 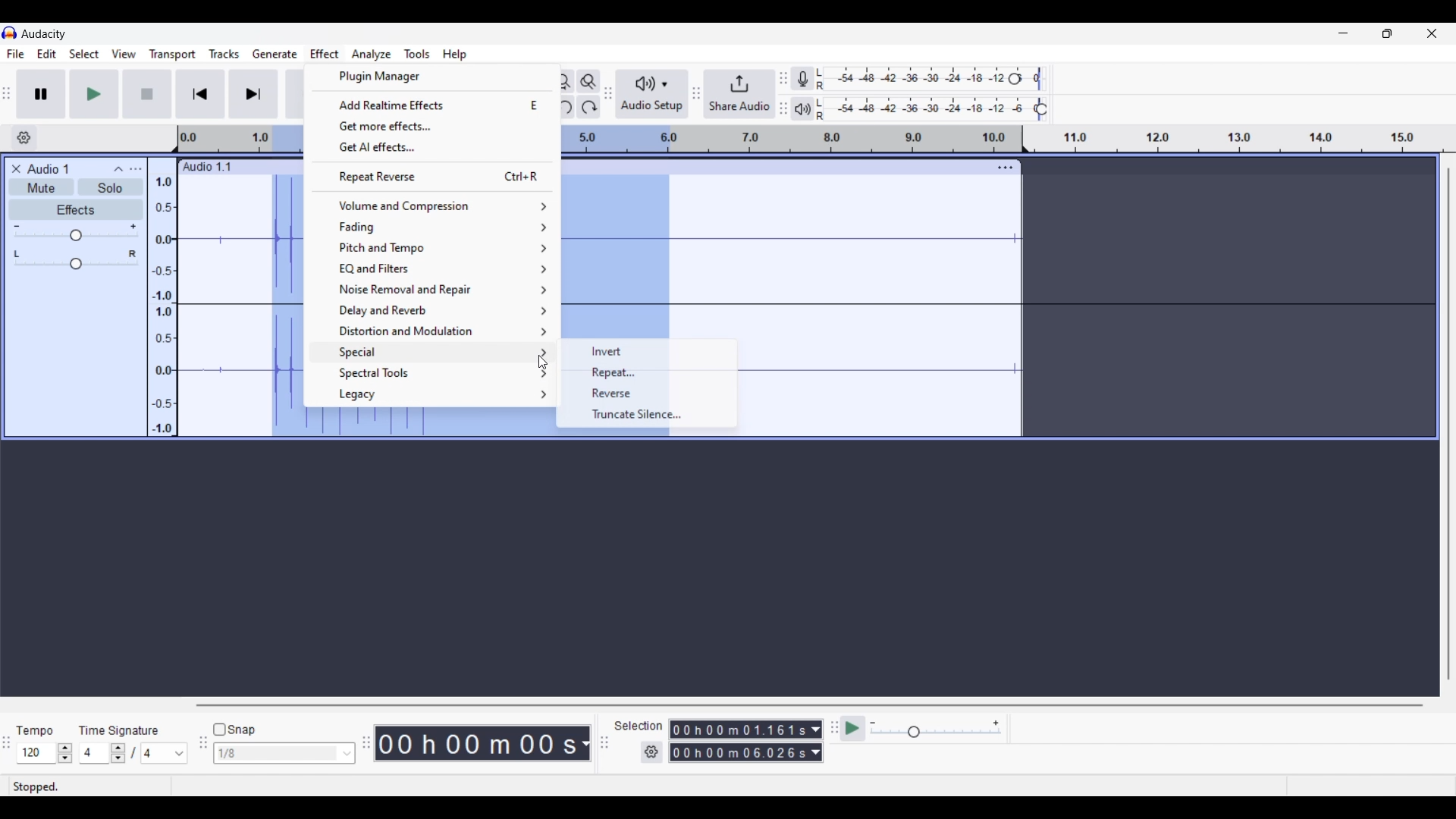 What do you see at coordinates (277, 754) in the screenshot?
I see `Type in snap` at bounding box center [277, 754].